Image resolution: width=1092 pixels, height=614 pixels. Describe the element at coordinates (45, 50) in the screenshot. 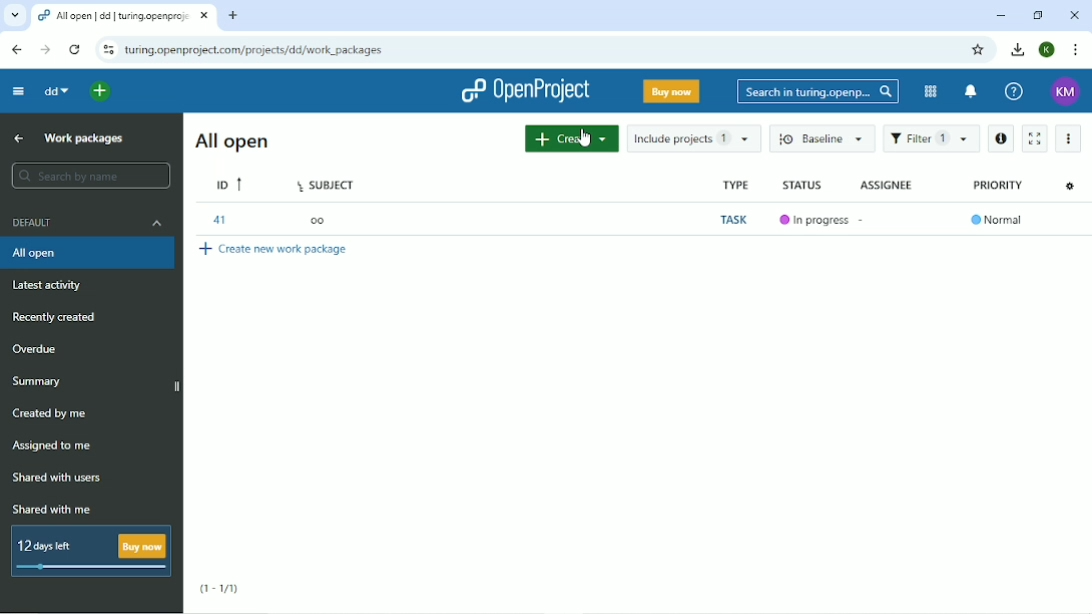

I see `Forward` at that location.